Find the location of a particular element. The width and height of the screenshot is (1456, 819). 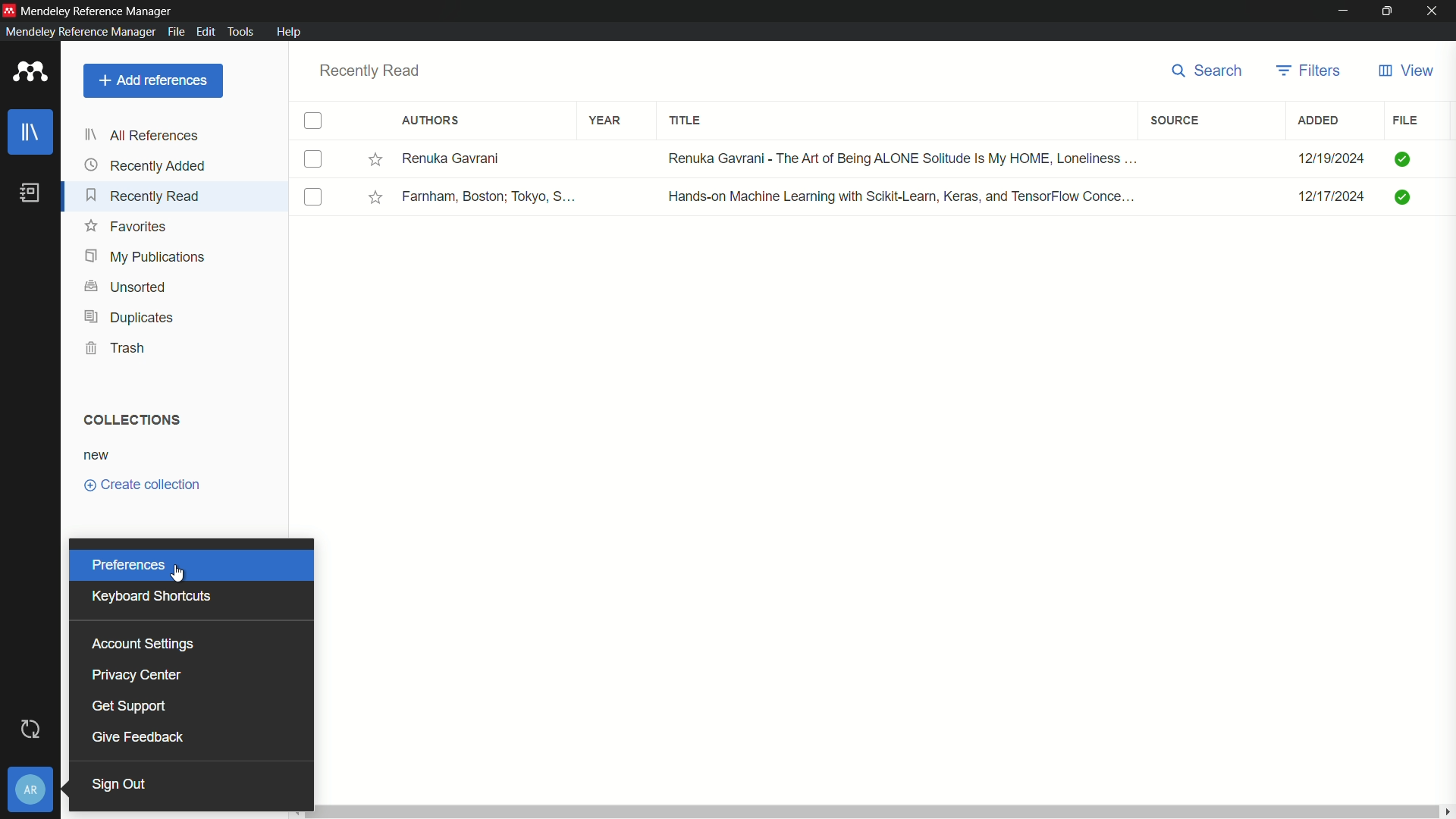

sign  out is located at coordinates (119, 785).